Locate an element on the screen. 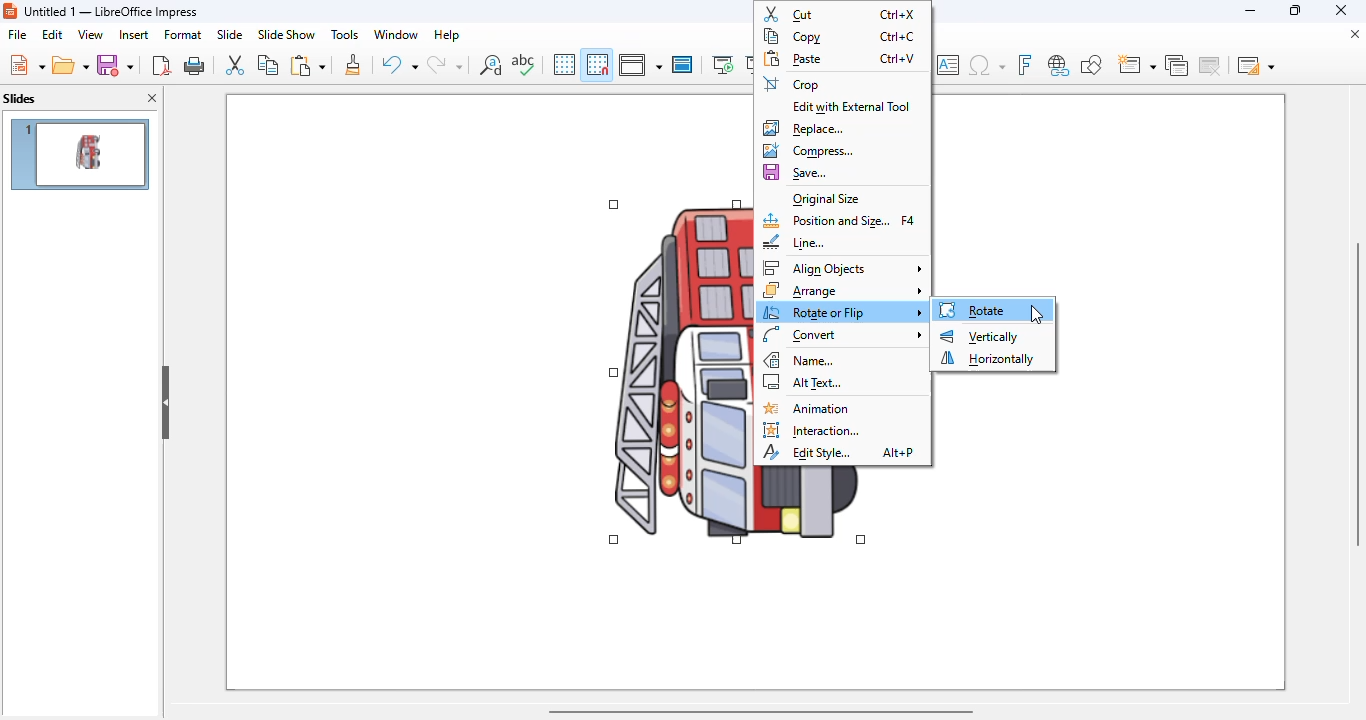 The height and width of the screenshot is (720, 1366). vertically is located at coordinates (982, 336).